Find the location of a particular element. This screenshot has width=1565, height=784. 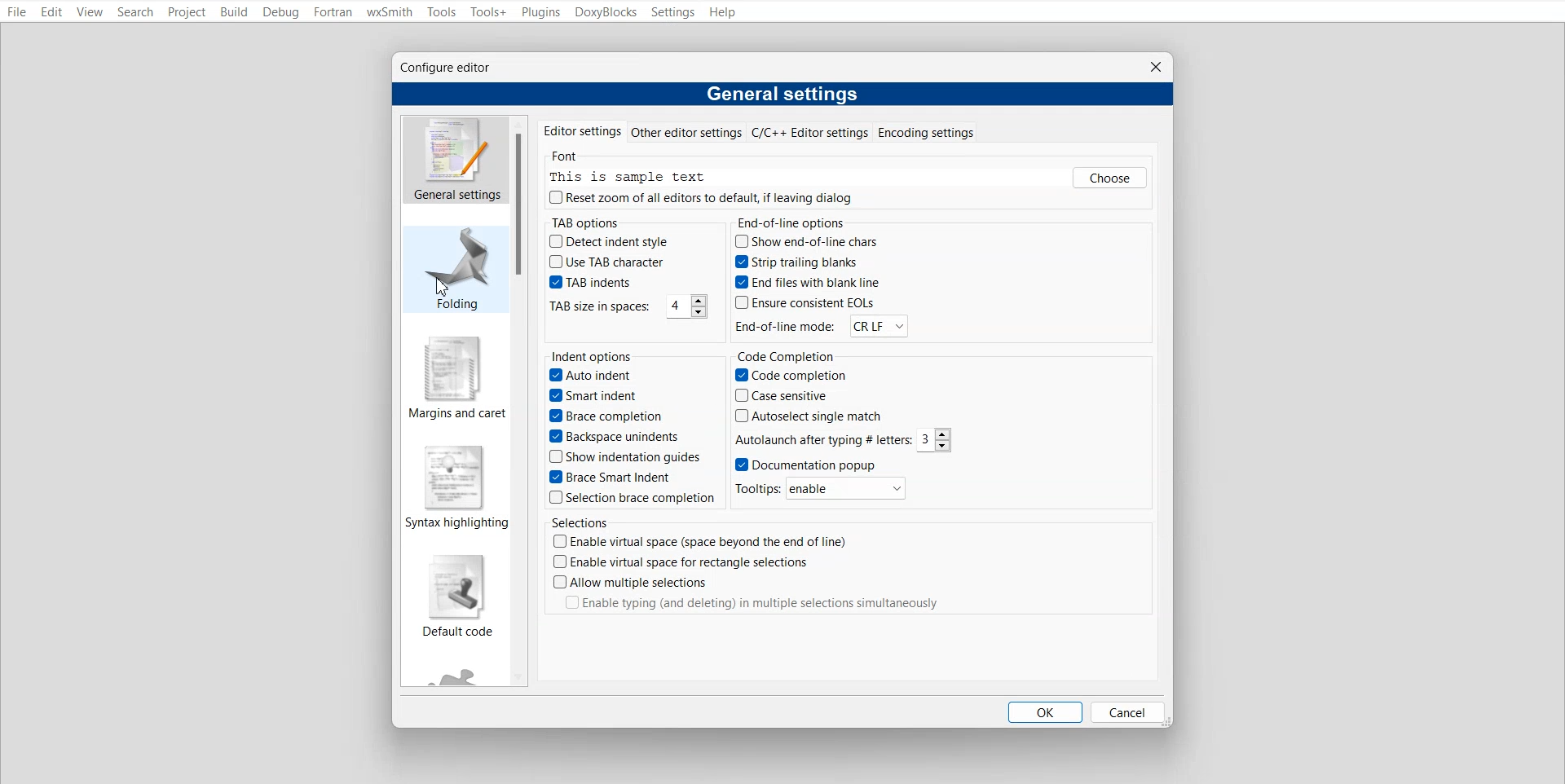

Ensure consistent EOLs is located at coordinates (803, 304).